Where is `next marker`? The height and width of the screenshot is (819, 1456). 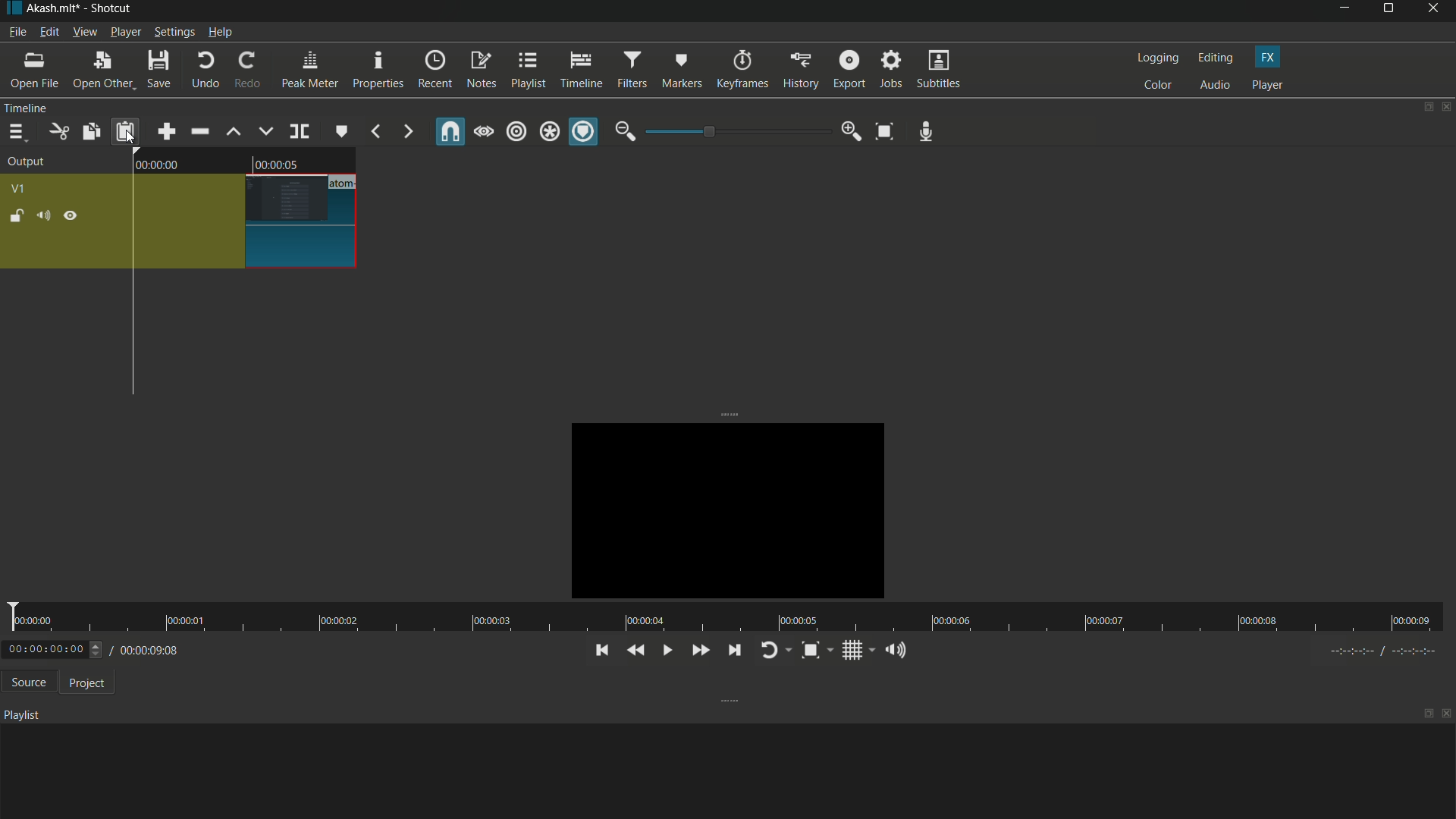 next marker is located at coordinates (407, 133).